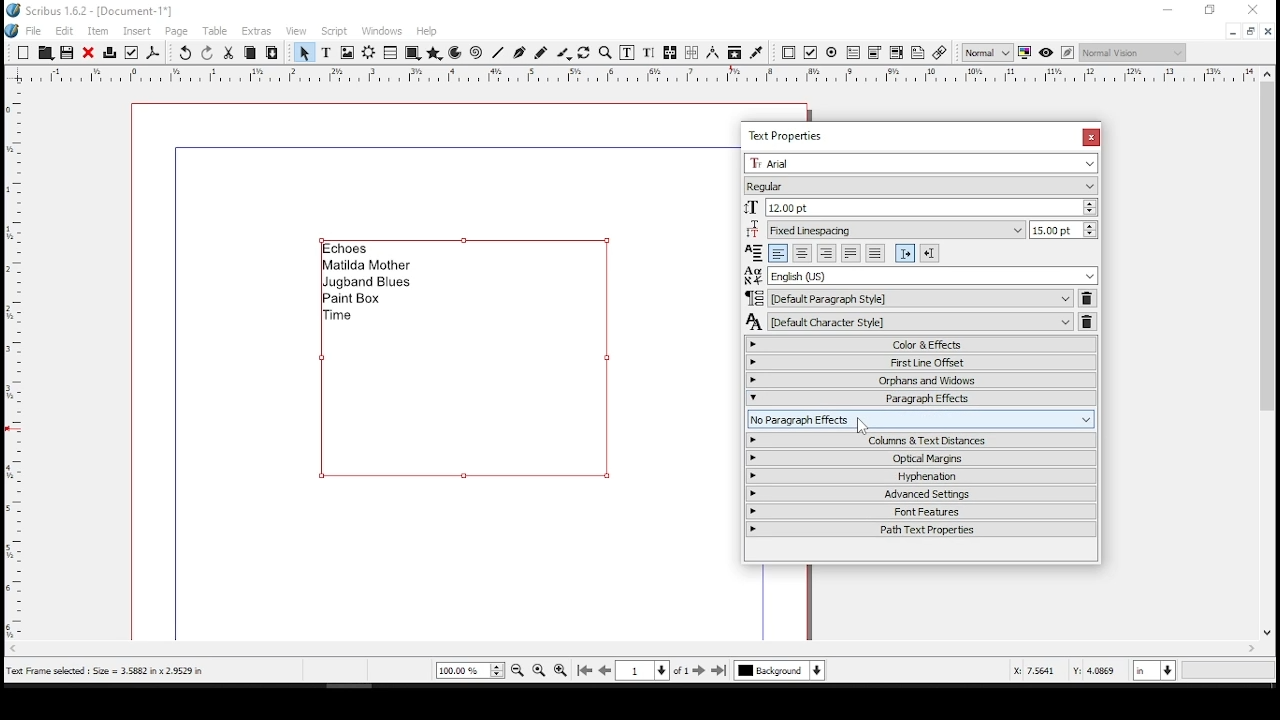  Describe the element at coordinates (883, 229) in the screenshot. I see `line spacing mode` at that location.